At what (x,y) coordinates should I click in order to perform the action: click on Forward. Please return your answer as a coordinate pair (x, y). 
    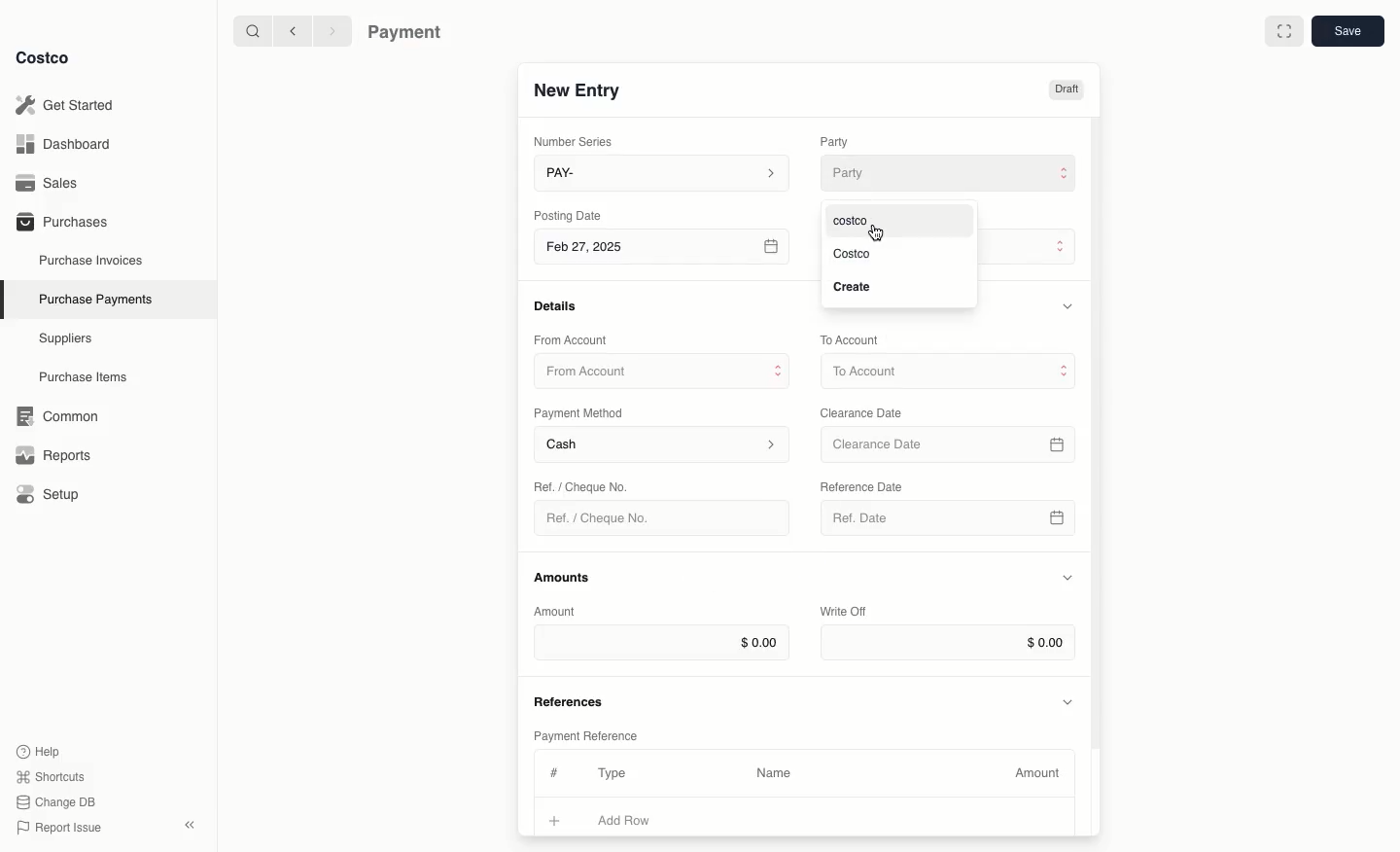
    Looking at the image, I should click on (331, 30).